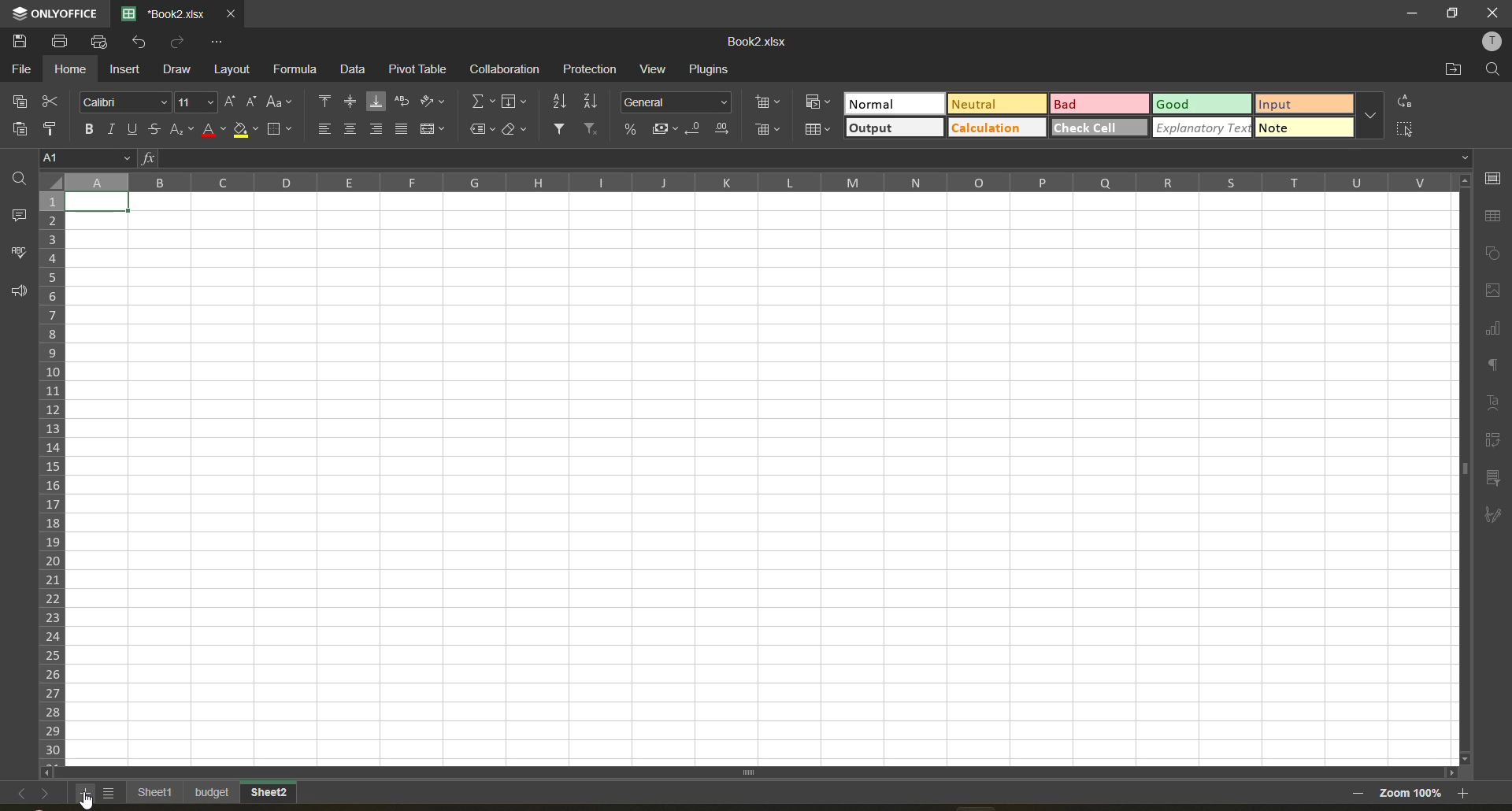  I want to click on  new sheet added, so click(271, 793).